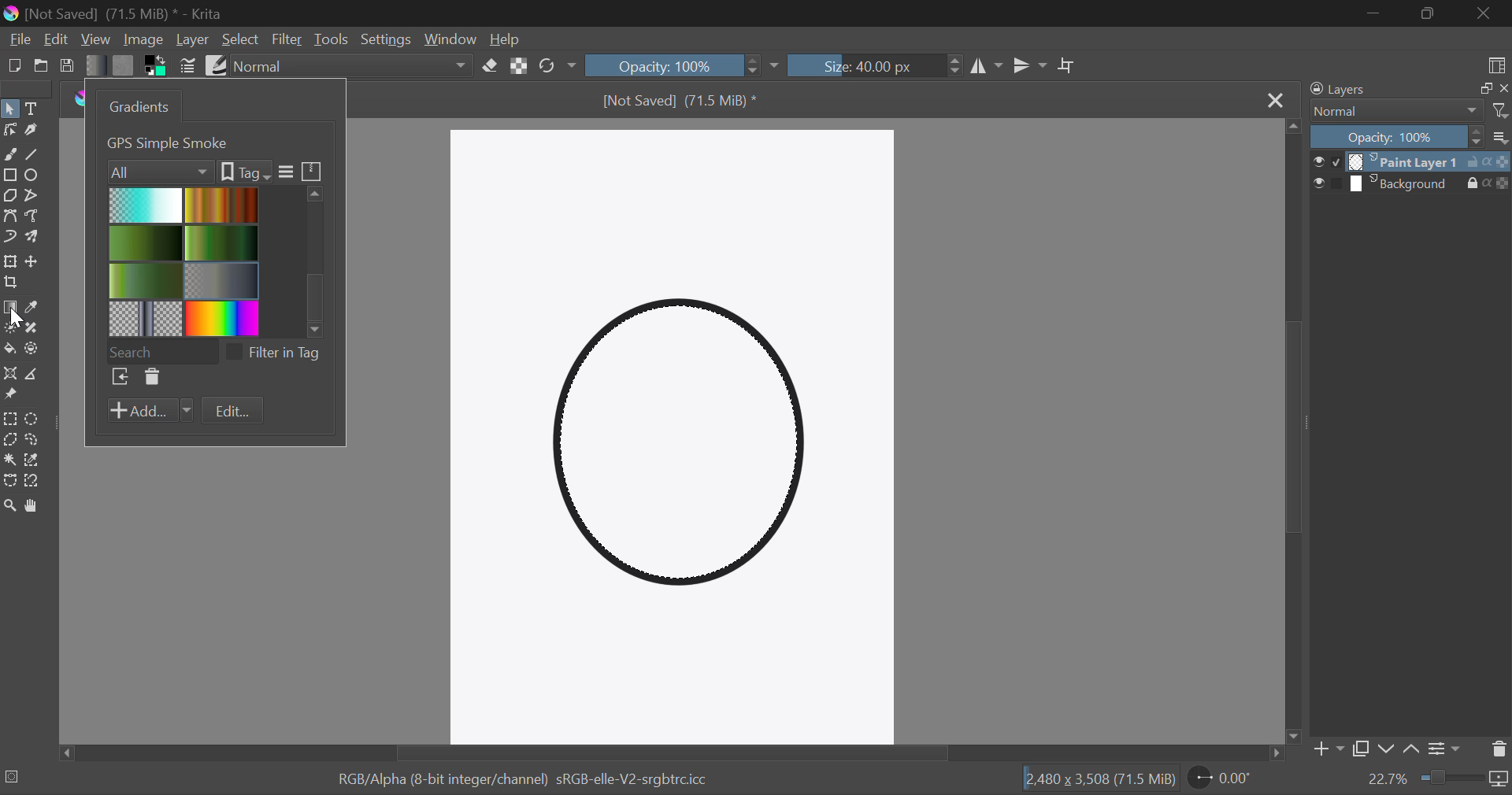 This screenshot has width=1512, height=795. What do you see at coordinates (1352, 89) in the screenshot?
I see `Layers Docker` at bounding box center [1352, 89].